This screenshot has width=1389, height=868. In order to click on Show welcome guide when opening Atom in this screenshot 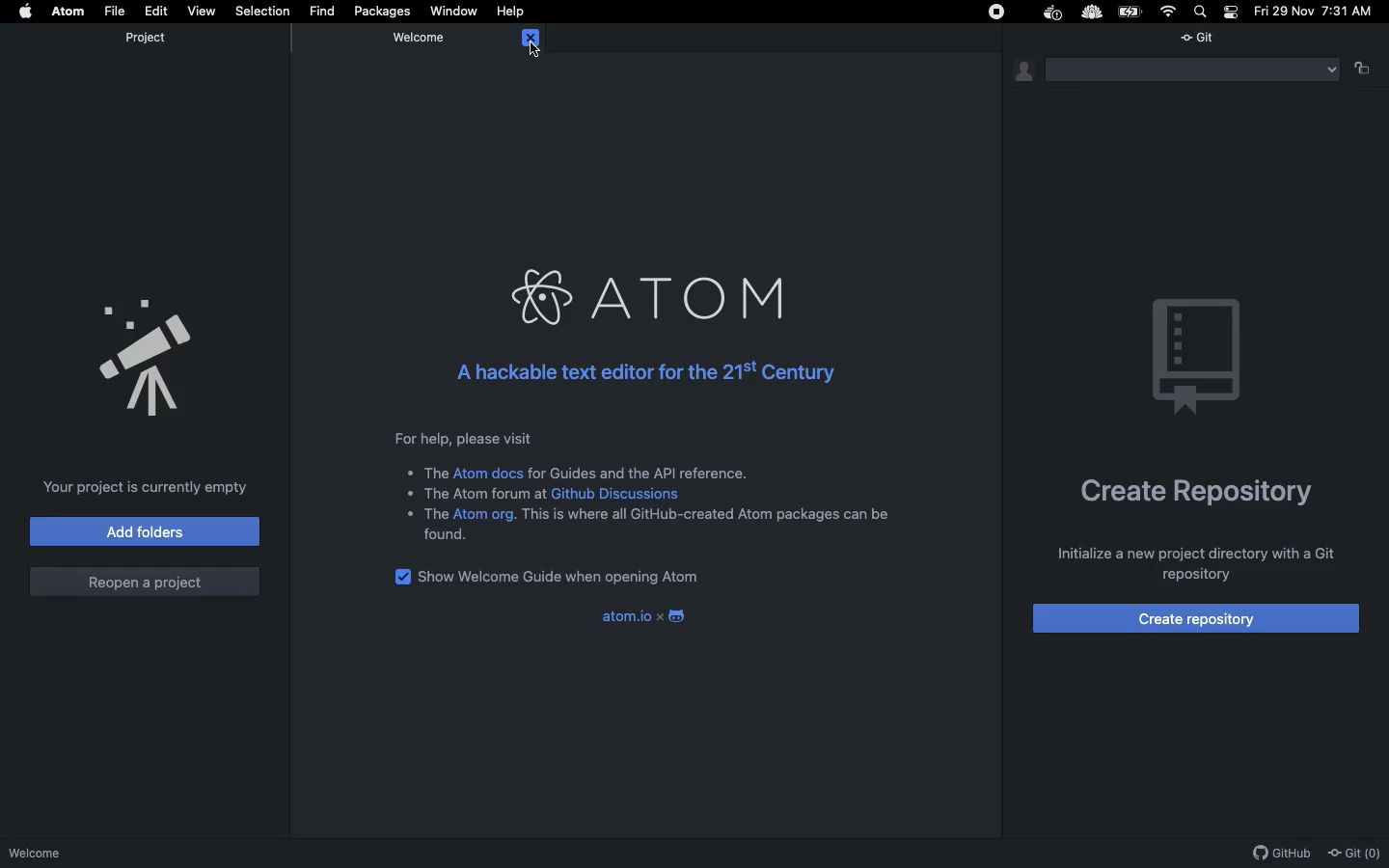, I will do `click(565, 576)`.